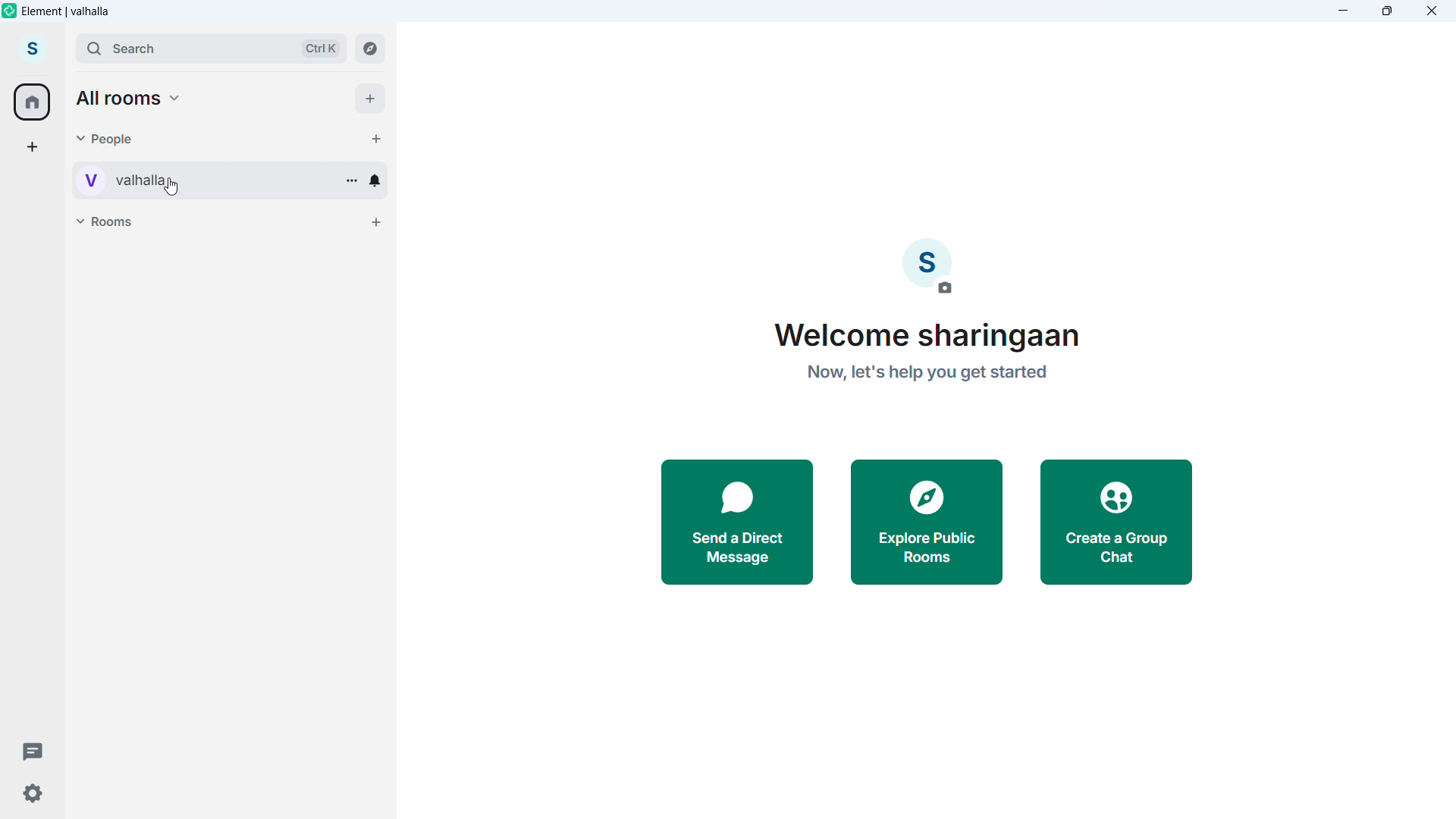 Image resolution: width=1456 pixels, height=819 pixels. What do you see at coordinates (375, 221) in the screenshot?
I see `Add room ` at bounding box center [375, 221].